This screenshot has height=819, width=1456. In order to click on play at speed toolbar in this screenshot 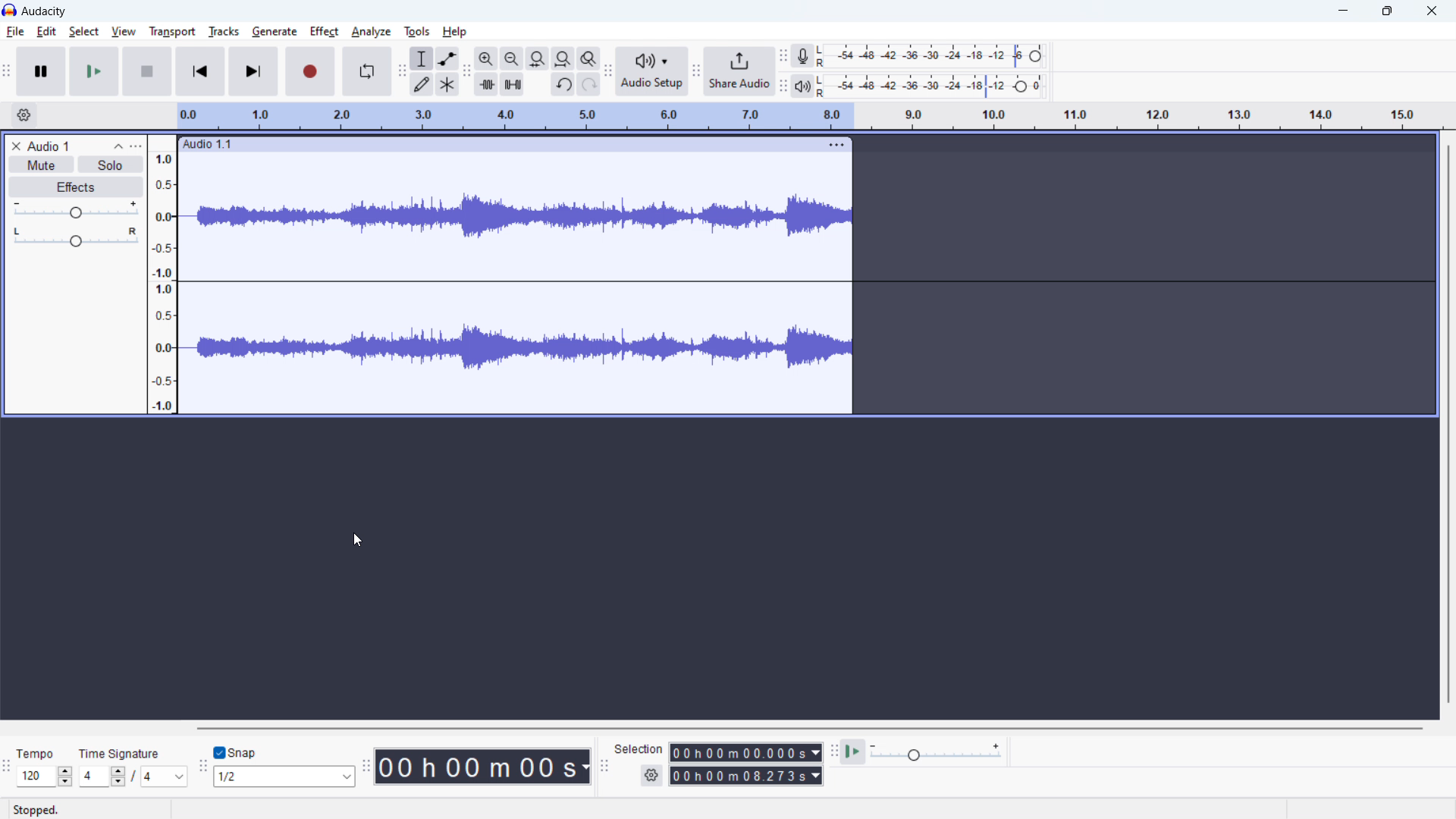, I will do `click(833, 752)`.